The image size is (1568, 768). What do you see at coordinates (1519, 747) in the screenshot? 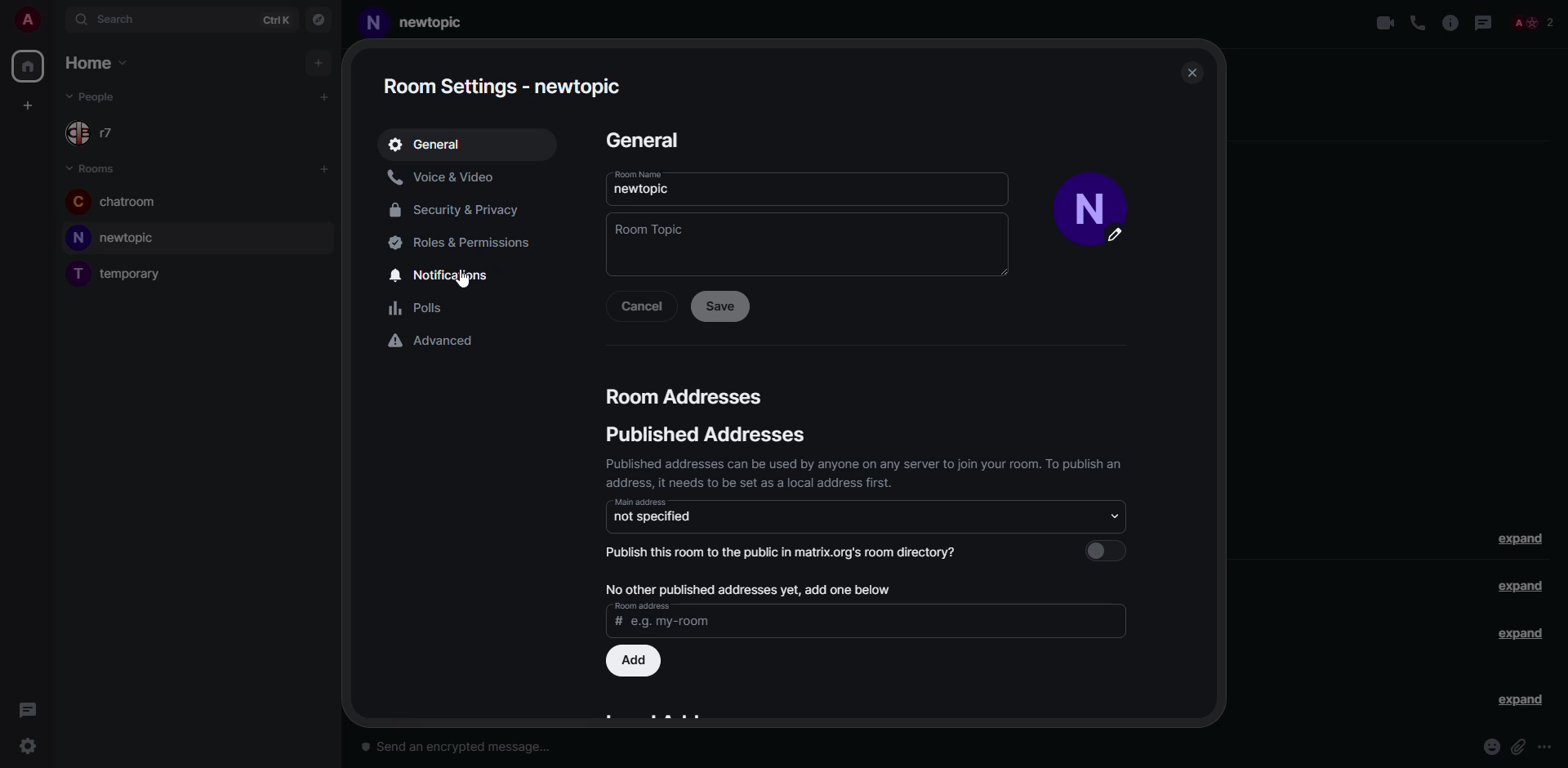
I see `attach` at bounding box center [1519, 747].